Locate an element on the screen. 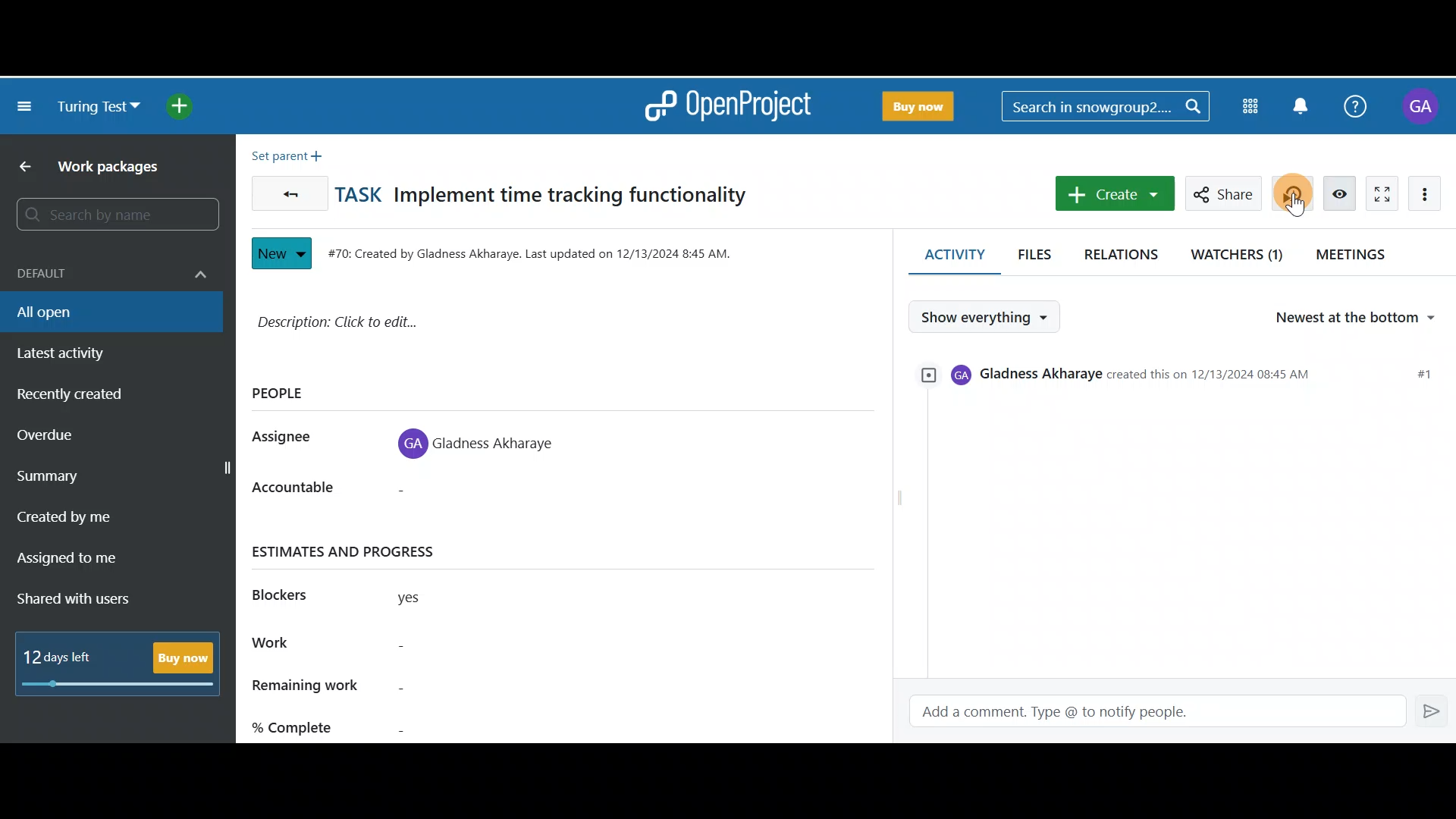  Activate zen mode is located at coordinates (1378, 191).